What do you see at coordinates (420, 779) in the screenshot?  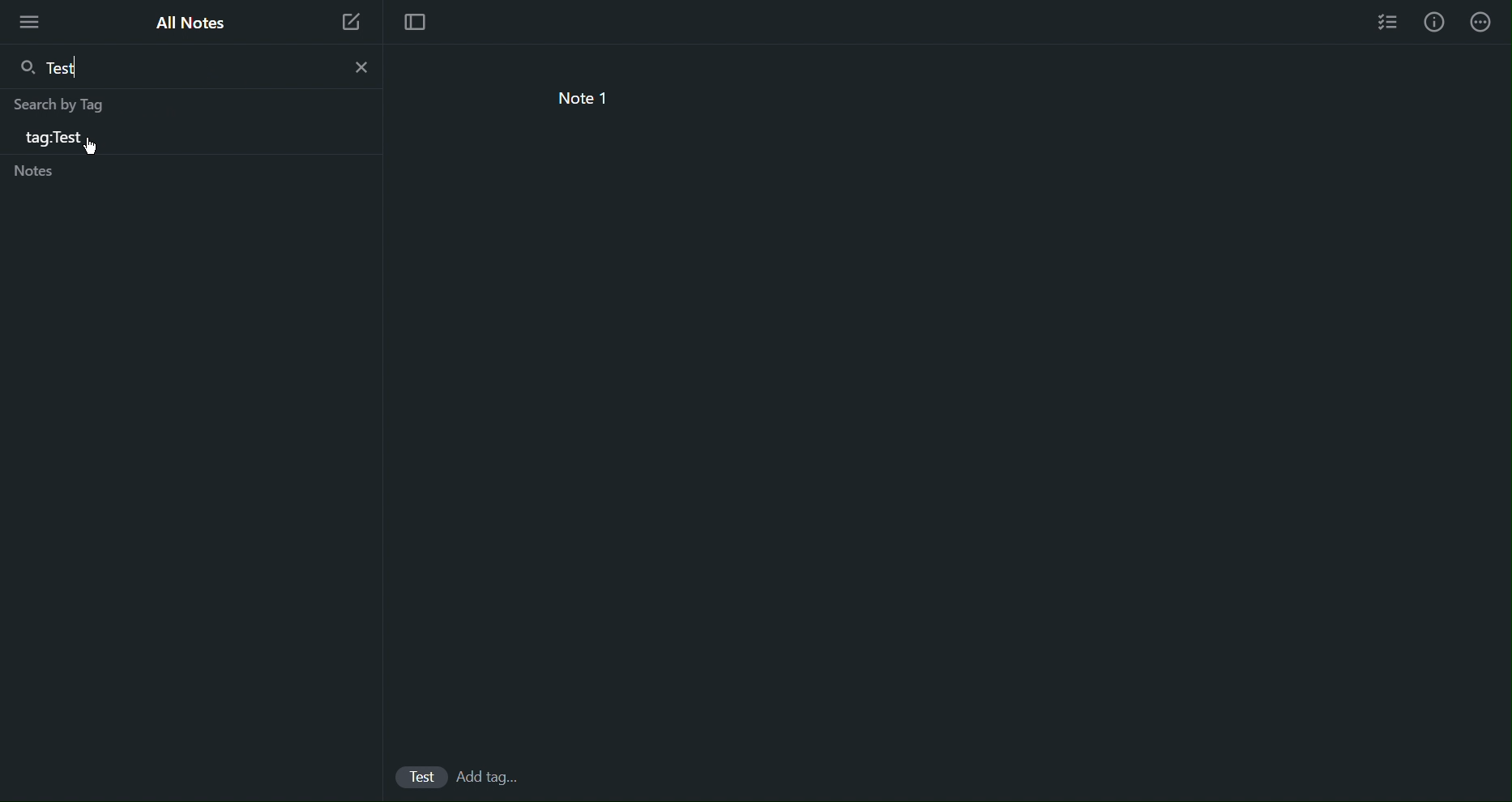 I see `Test` at bounding box center [420, 779].